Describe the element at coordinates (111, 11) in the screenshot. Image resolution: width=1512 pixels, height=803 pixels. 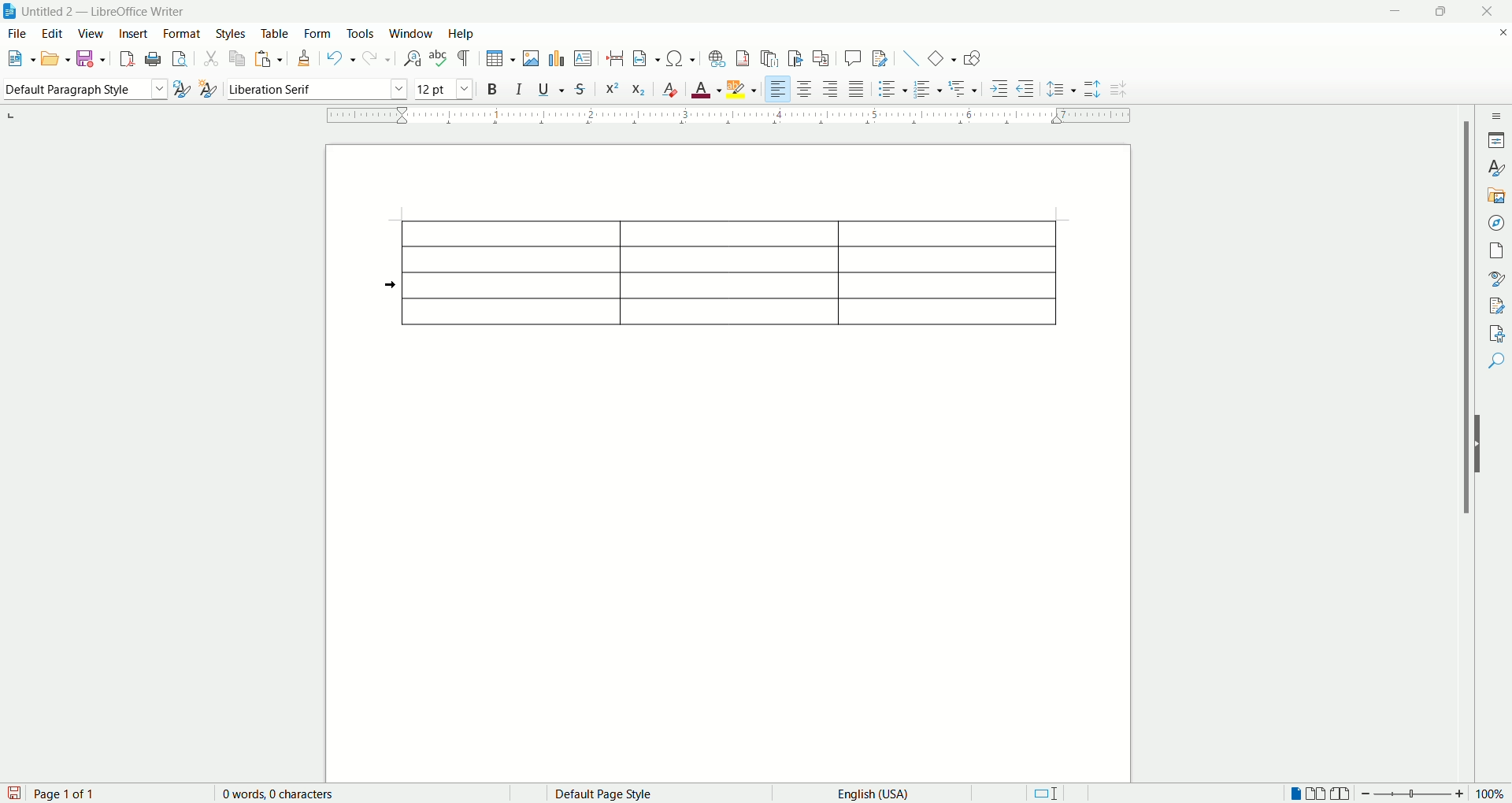
I see `titled 2 — LibreOffice Writer` at that location.